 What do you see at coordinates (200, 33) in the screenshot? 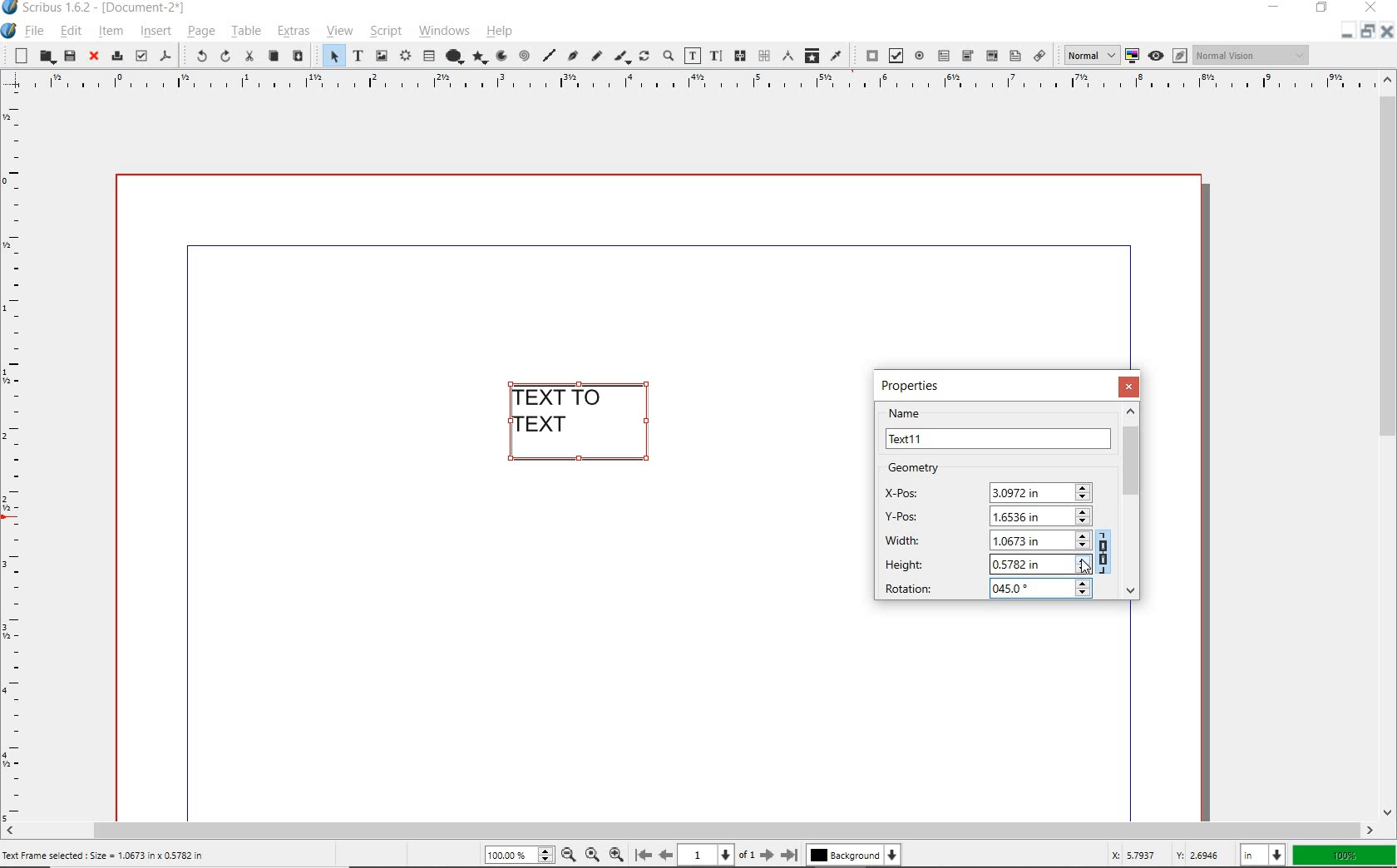
I see `page` at bounding box center [200, 33].